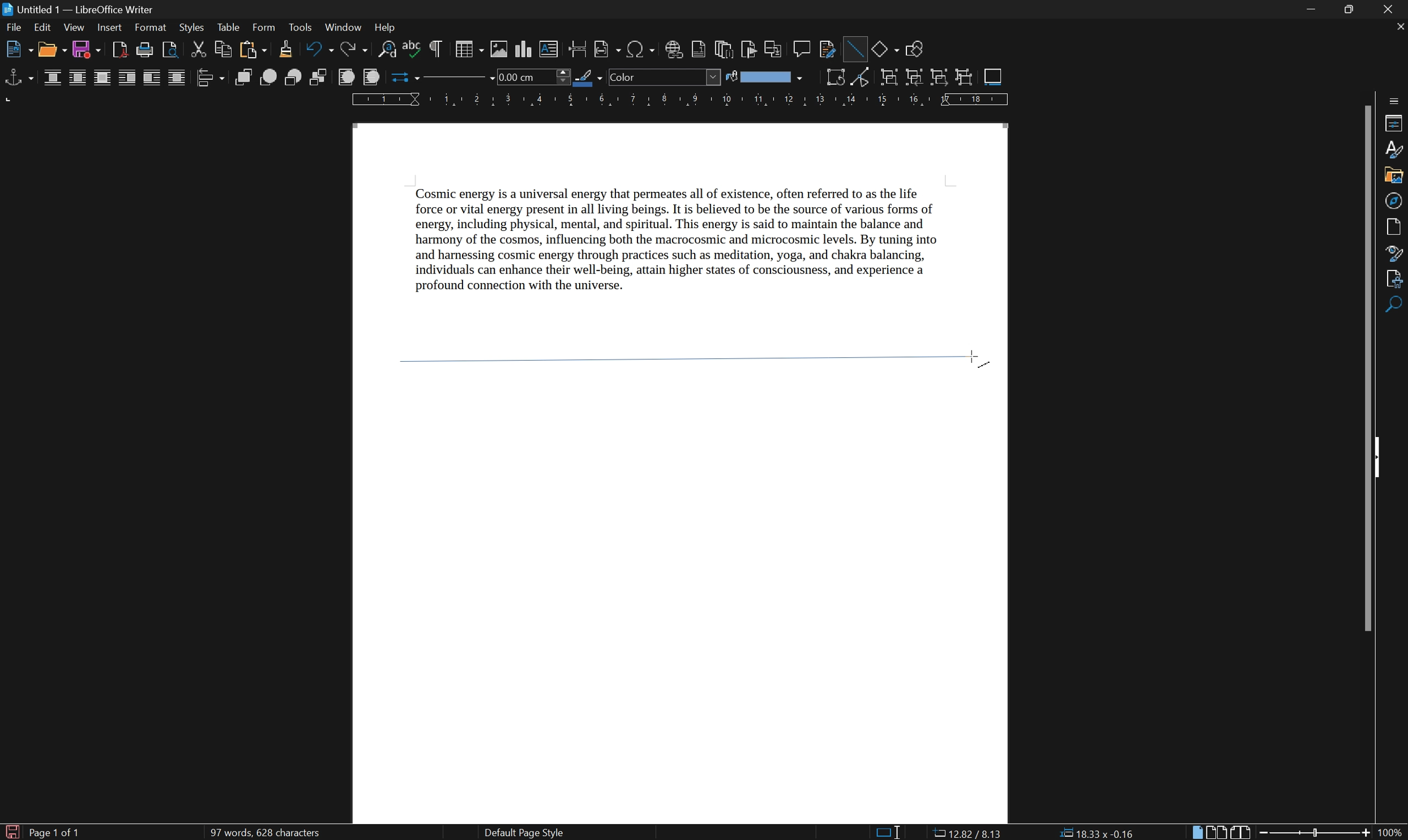  Describe the element at coordinates (803, 48) in the screenshot. I see `insert comment` at that location.